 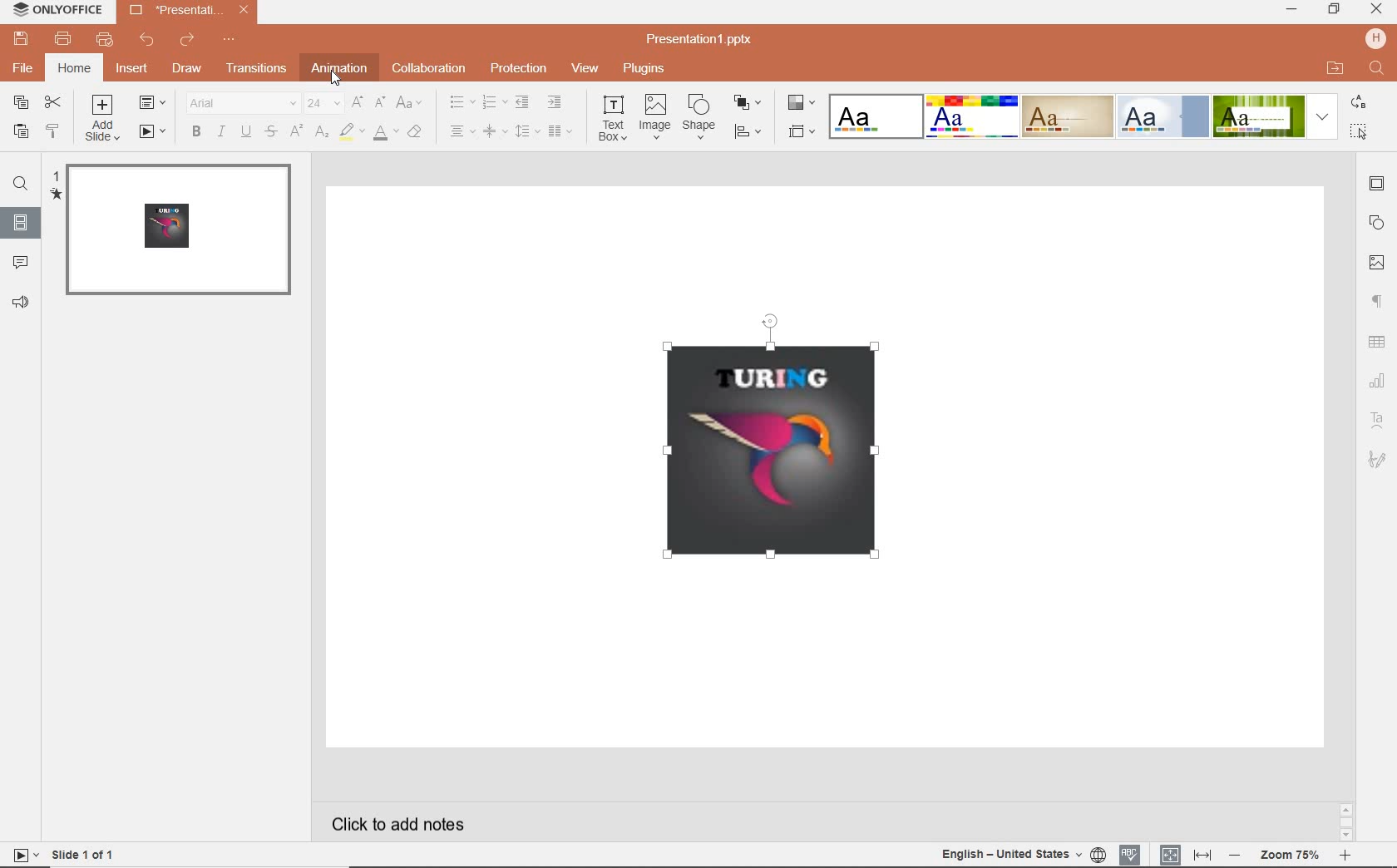 What do you see at coordinates (1066, 116) in the screenshot?
I see `classic` at bounding box center [1066, 116].